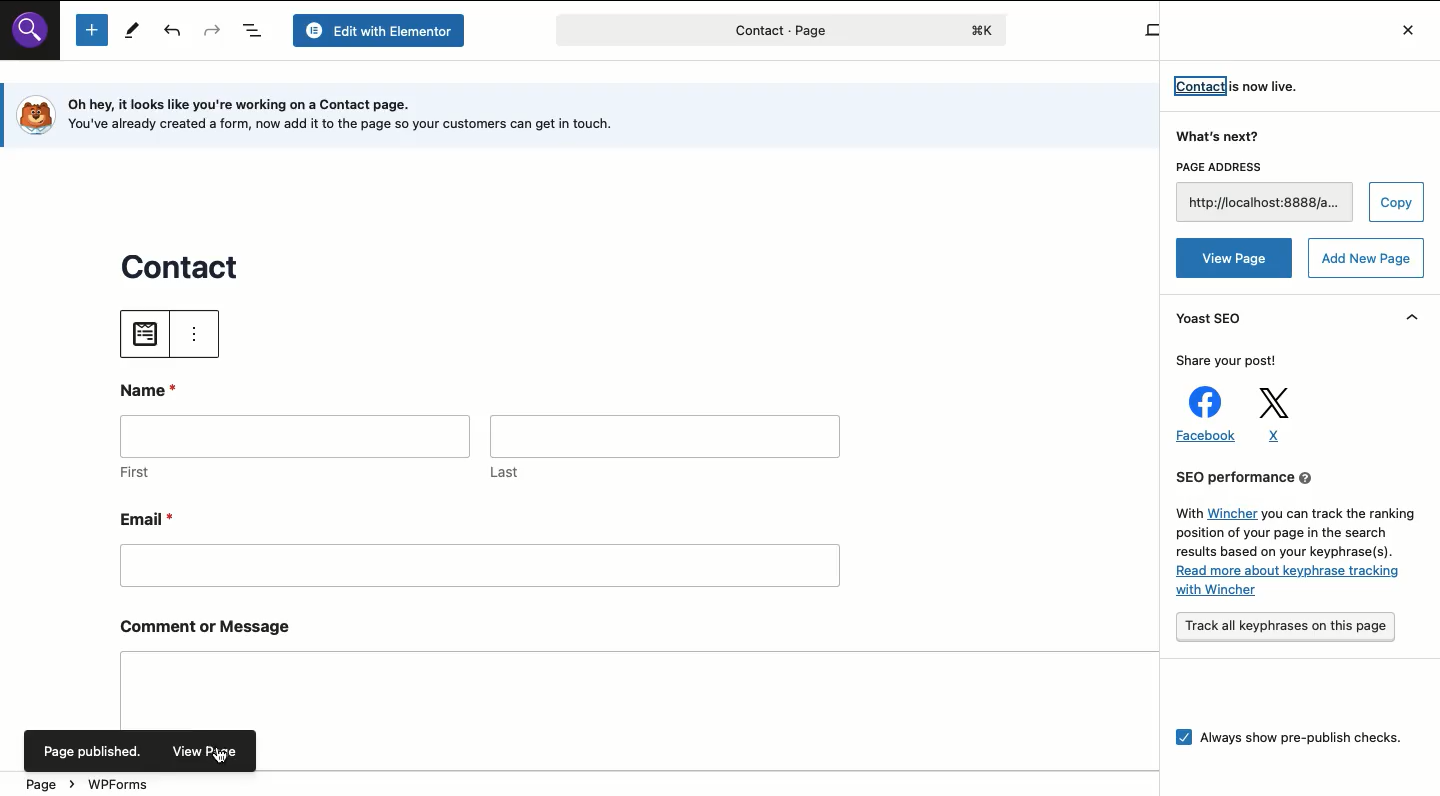 This screenshot has width=1440, height=796. I want to click on Email*, so click(479, 546).